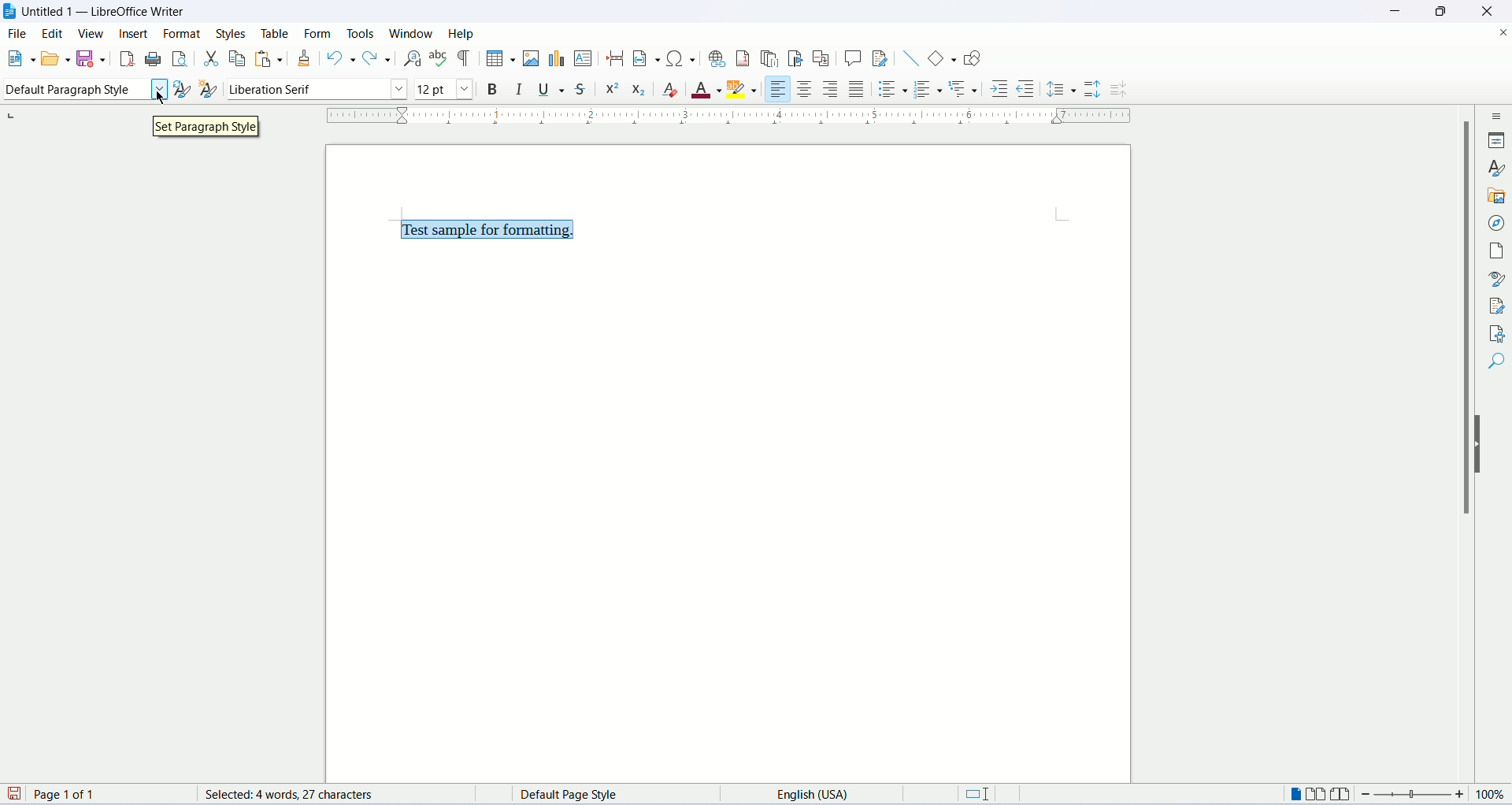 The height and width of the screenshot is (805, 1512). I want to click on manage changes, so click(1496, 306).